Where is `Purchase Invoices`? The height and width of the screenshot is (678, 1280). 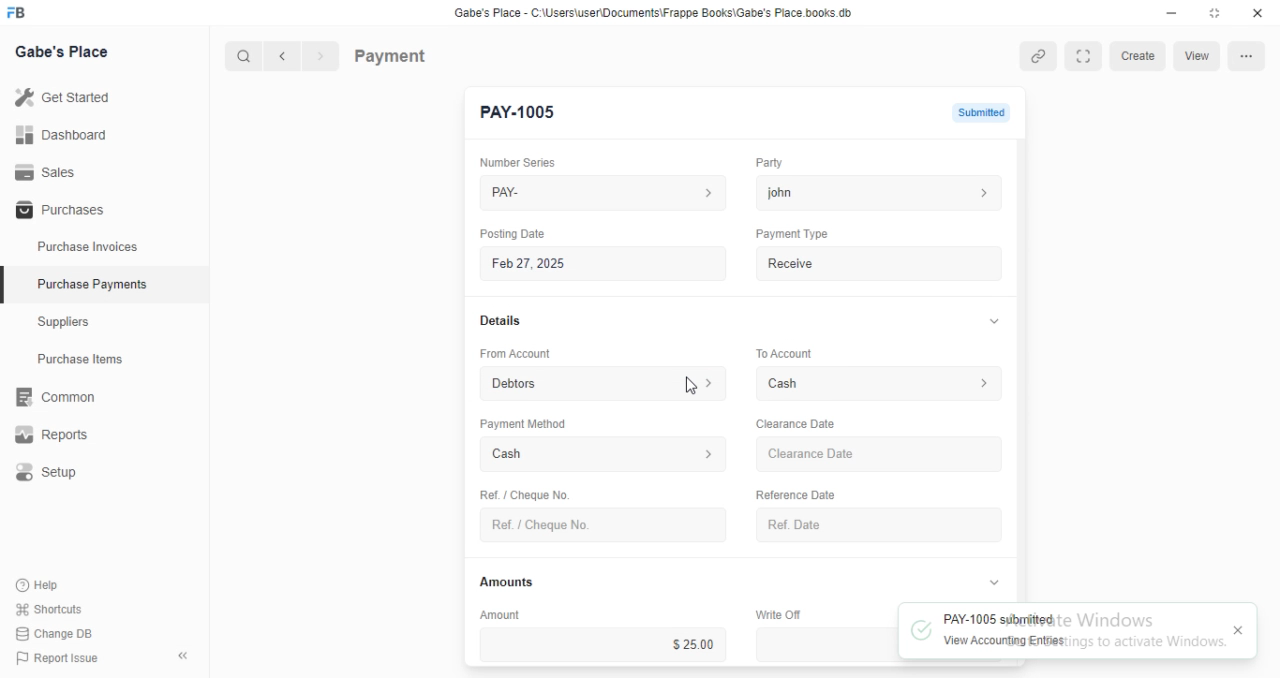 Purchase Invoices is located at coordinates (85, 247).